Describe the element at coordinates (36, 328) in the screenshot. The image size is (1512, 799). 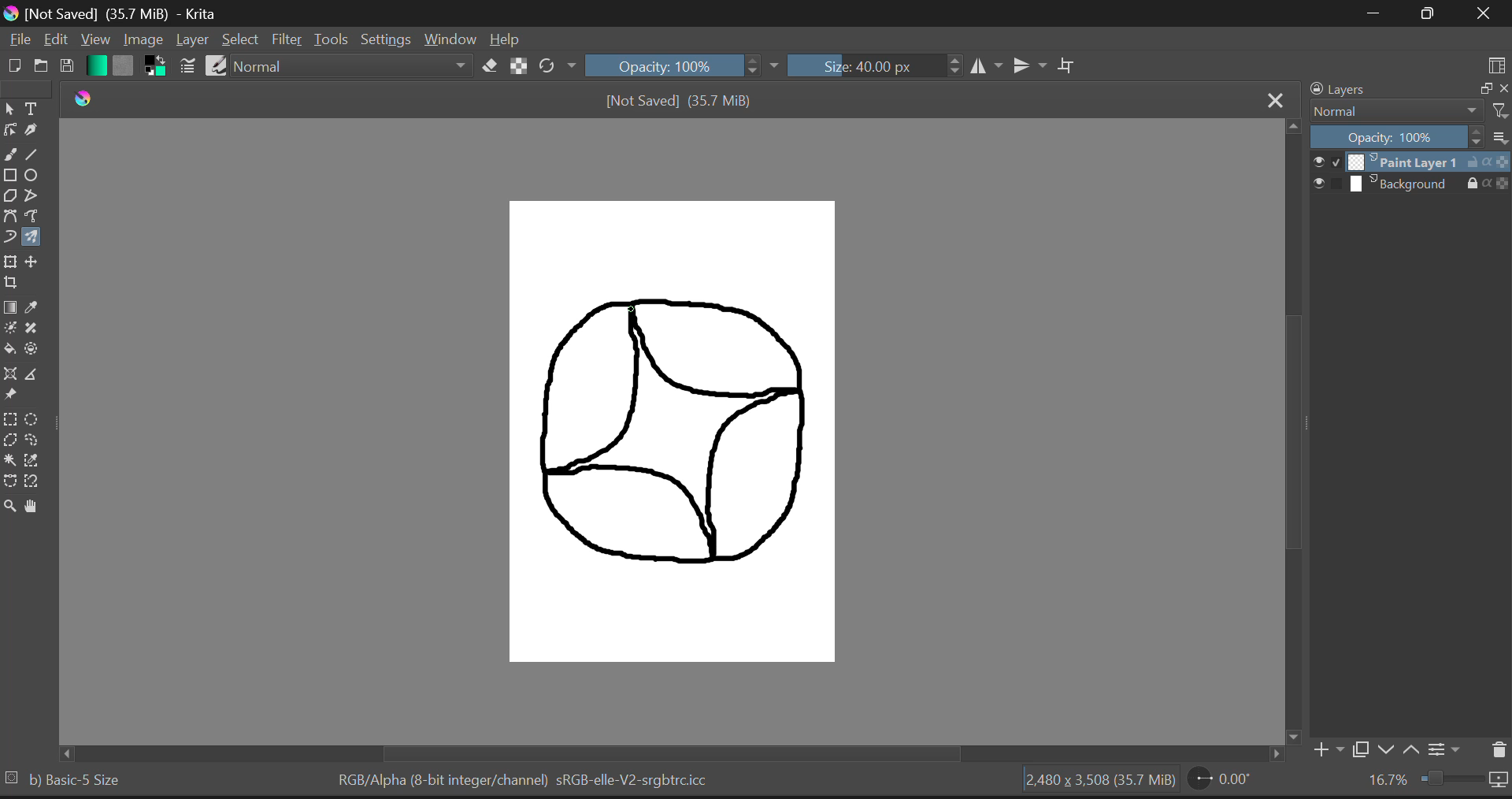
I see `Smart Patch Tool` at that location.